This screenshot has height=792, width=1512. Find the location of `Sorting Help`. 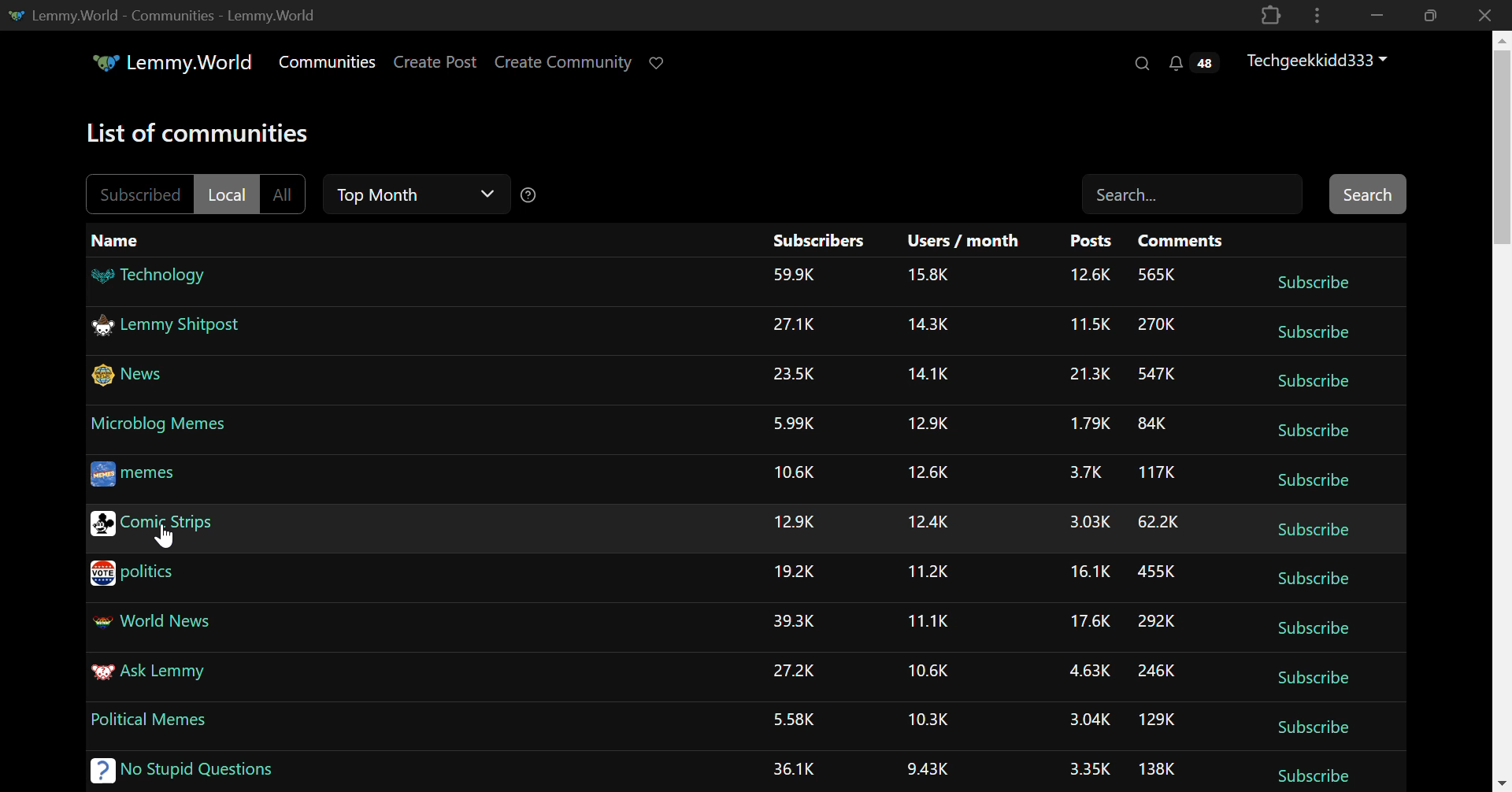

Sorting Help is located at coordinates (530, 194).